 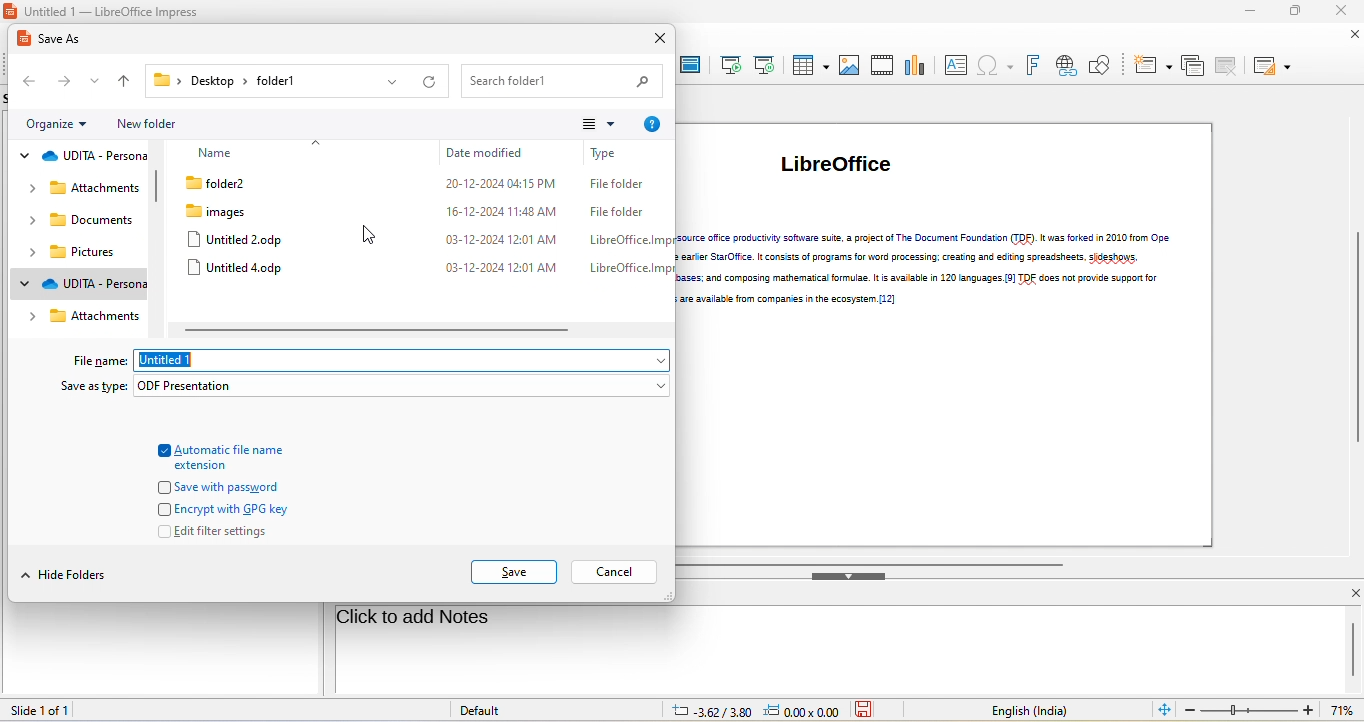 What do you see at coordinates (690, 66) in the screenshot?
I see `master slide` at bounding box center [690, 66].